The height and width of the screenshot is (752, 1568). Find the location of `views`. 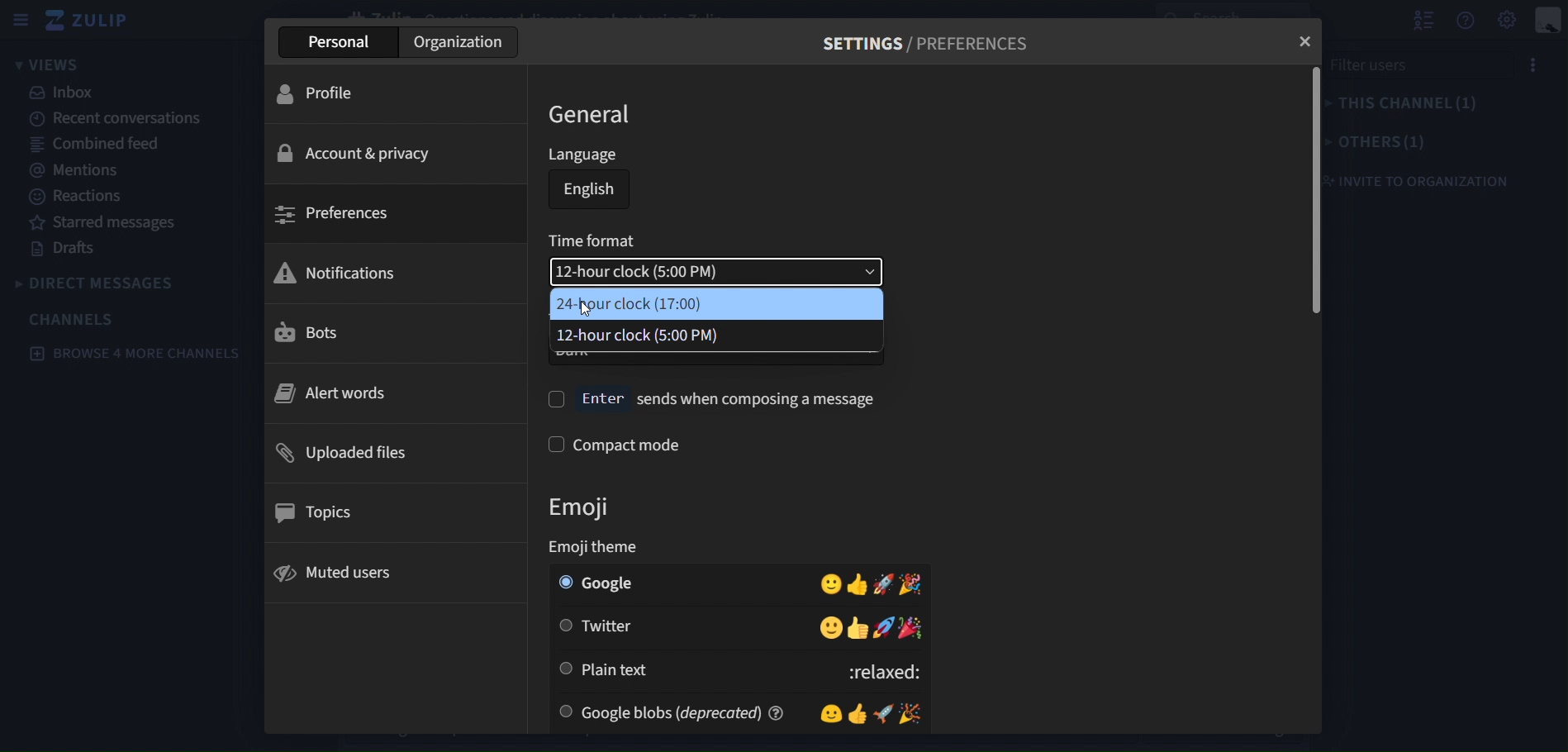

views is located at coordinates (48, 63).